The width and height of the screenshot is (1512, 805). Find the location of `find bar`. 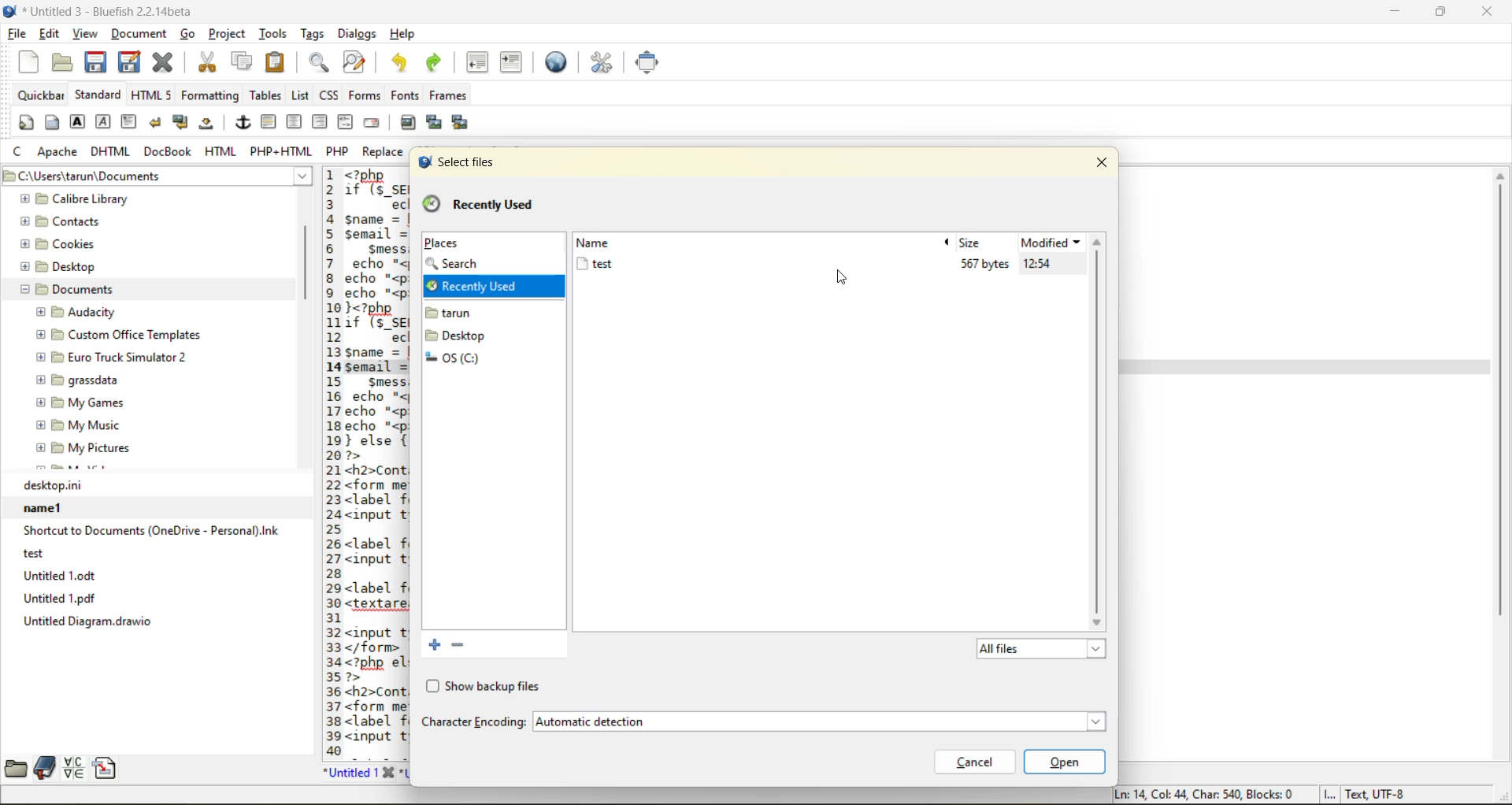

find bar is located at coordinates (321, 64).